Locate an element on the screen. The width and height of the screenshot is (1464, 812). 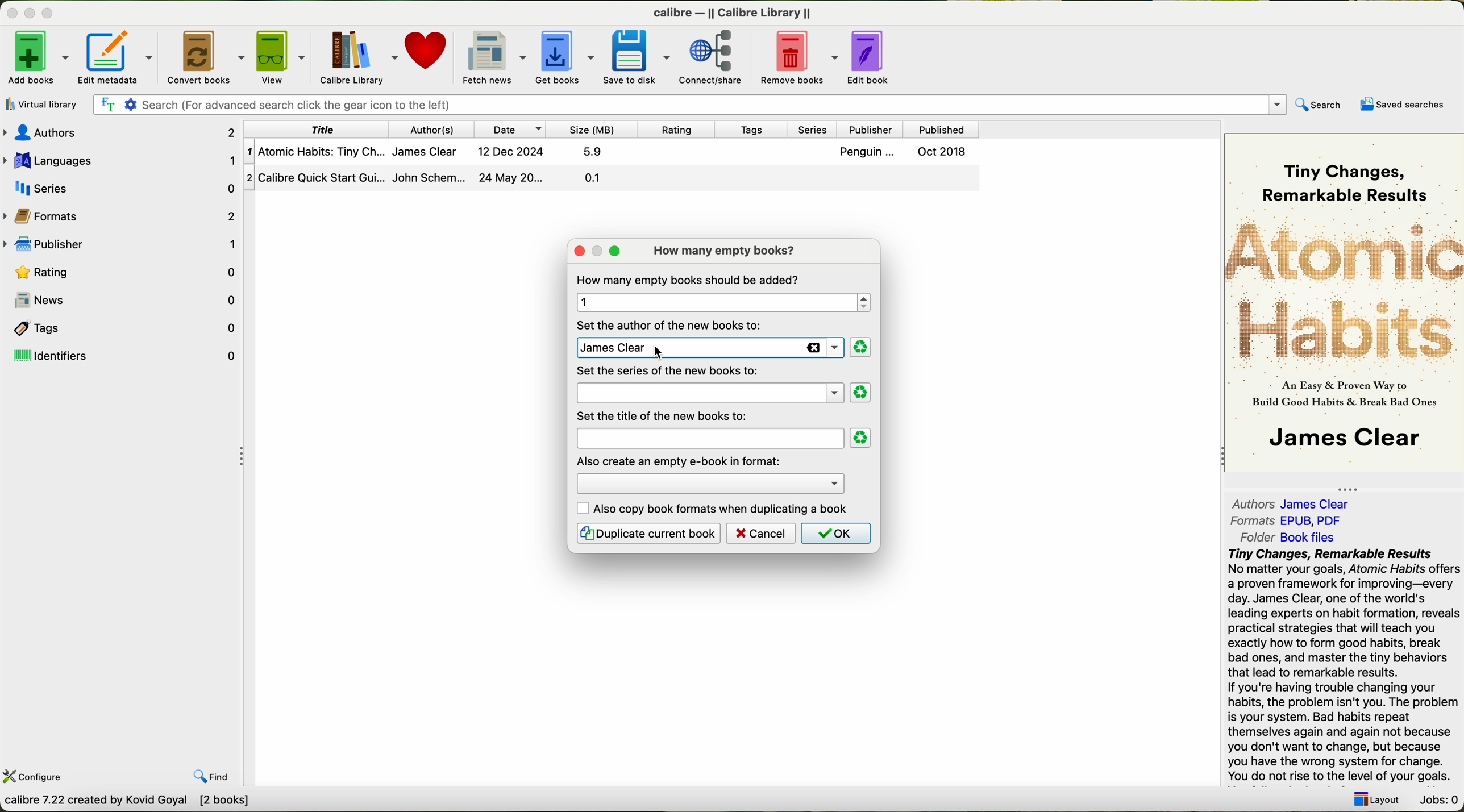
rating is located at coordinates (675, 130).